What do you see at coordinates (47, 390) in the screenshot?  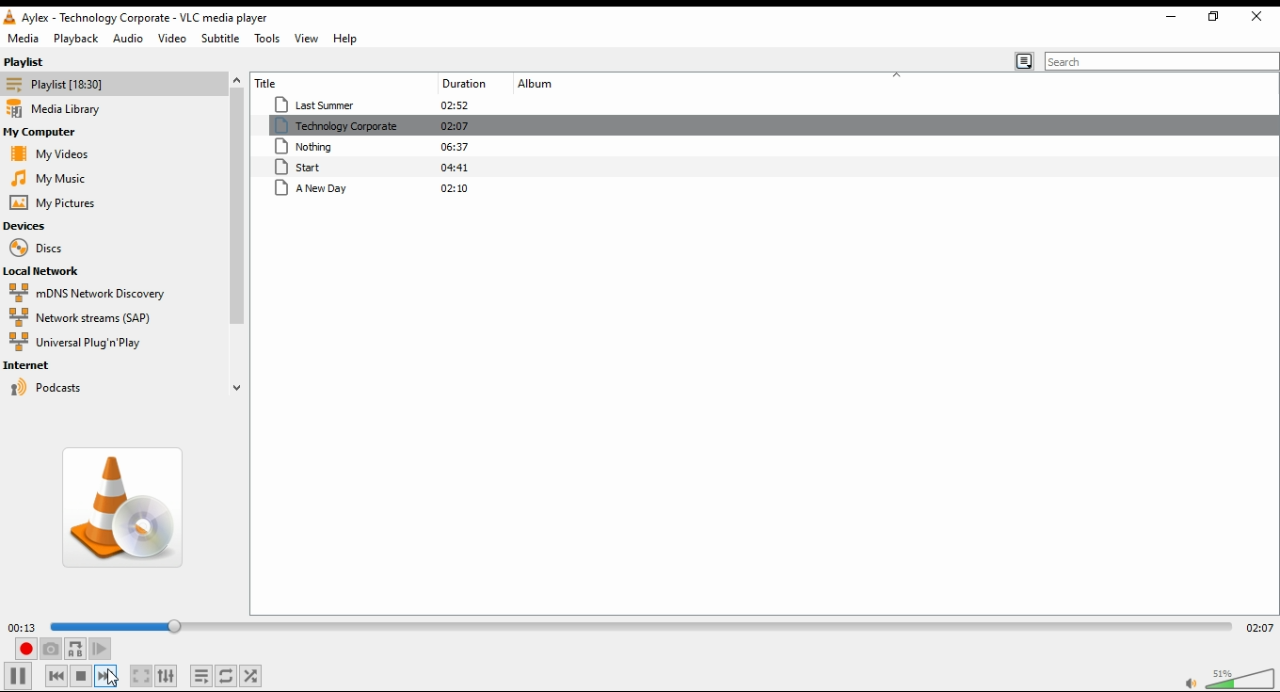 I see `podcasts` at bounding box center [47, 390].